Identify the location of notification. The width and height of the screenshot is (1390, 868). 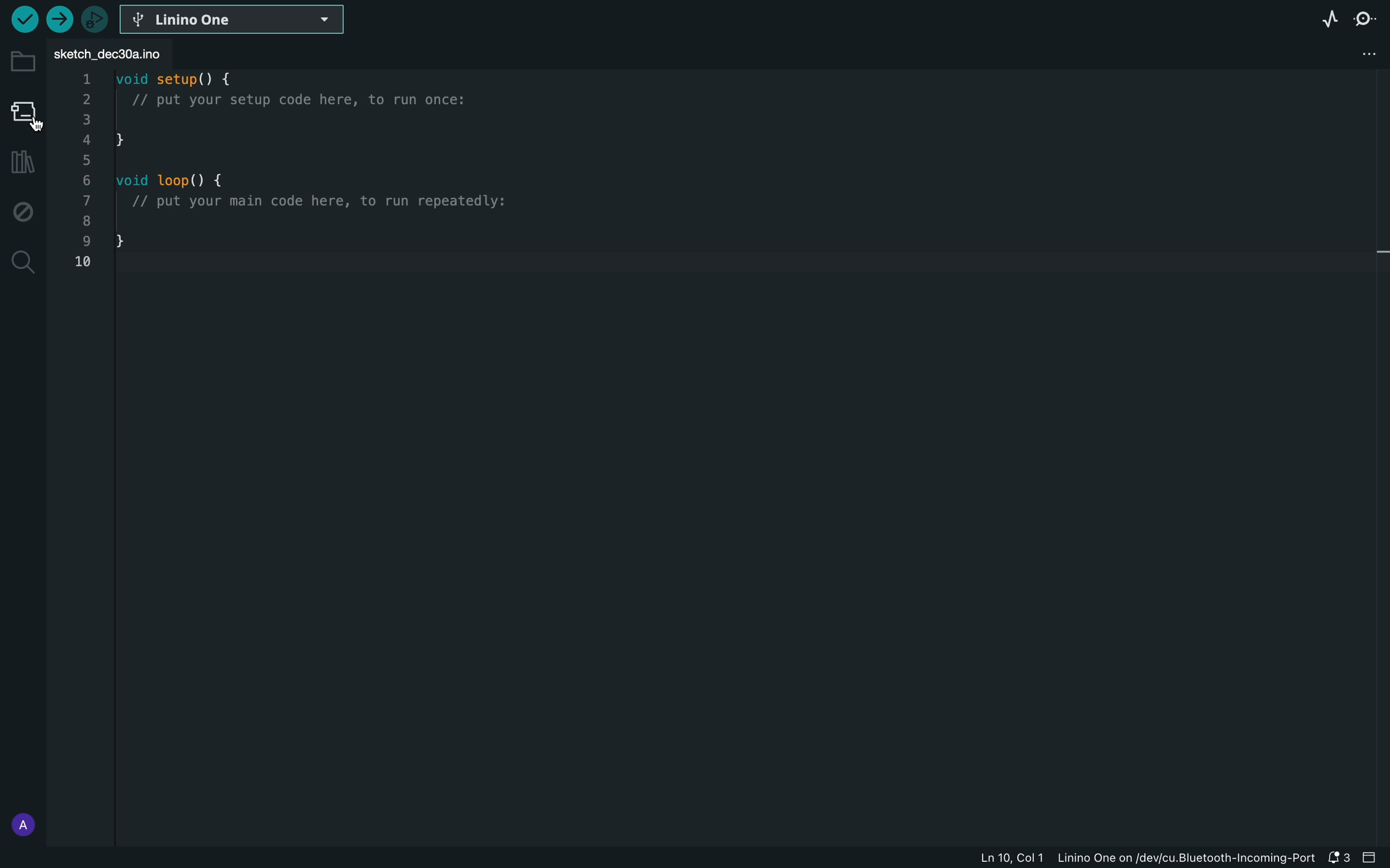
(1340, 859).